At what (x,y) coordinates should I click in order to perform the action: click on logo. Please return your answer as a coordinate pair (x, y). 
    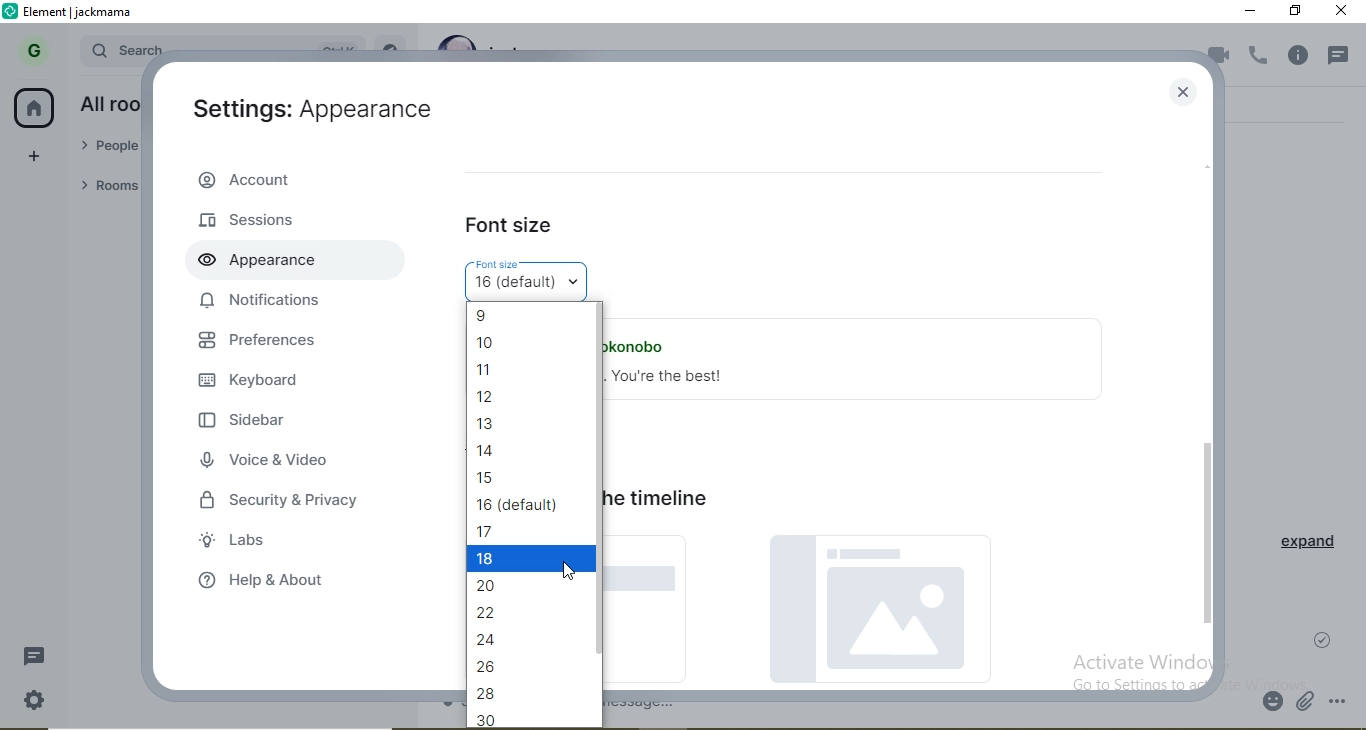
    Looking at the image, I should click on (12, 12).